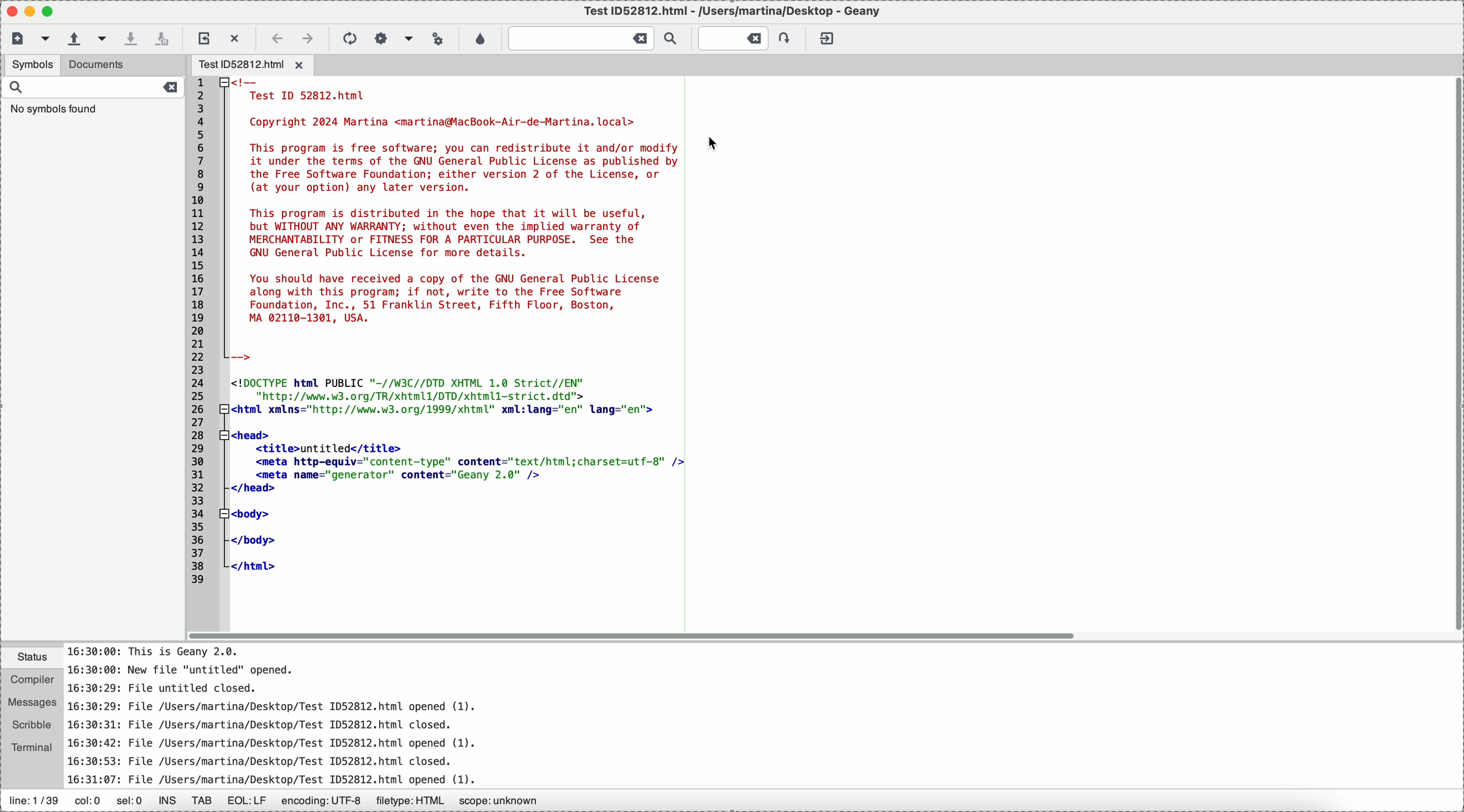 The width and height of the screenshot is (1464, 812). What do you see at coordinates (309, 38) in the screenshot?
I see `navigate foward` at bounding box center [309, 38].